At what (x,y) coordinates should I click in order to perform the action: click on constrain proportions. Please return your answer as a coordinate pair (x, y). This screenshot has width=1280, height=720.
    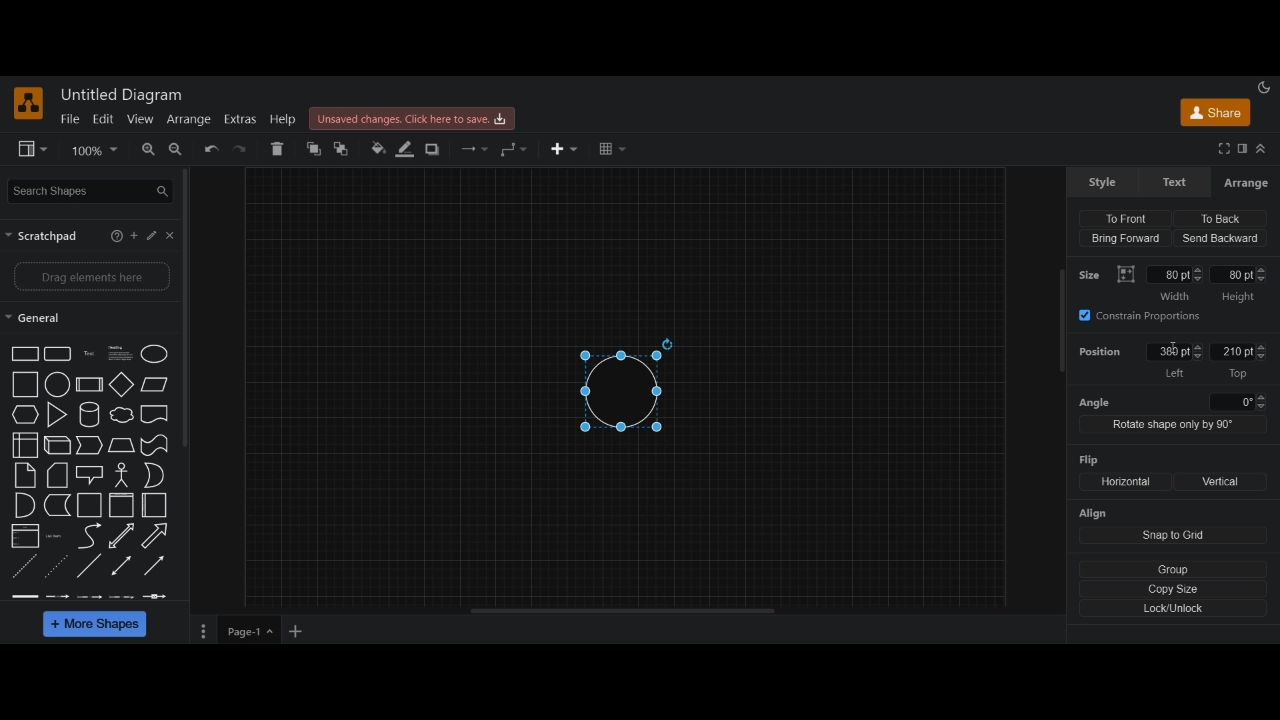
    Looking at the image, I should click on (1149, 317).